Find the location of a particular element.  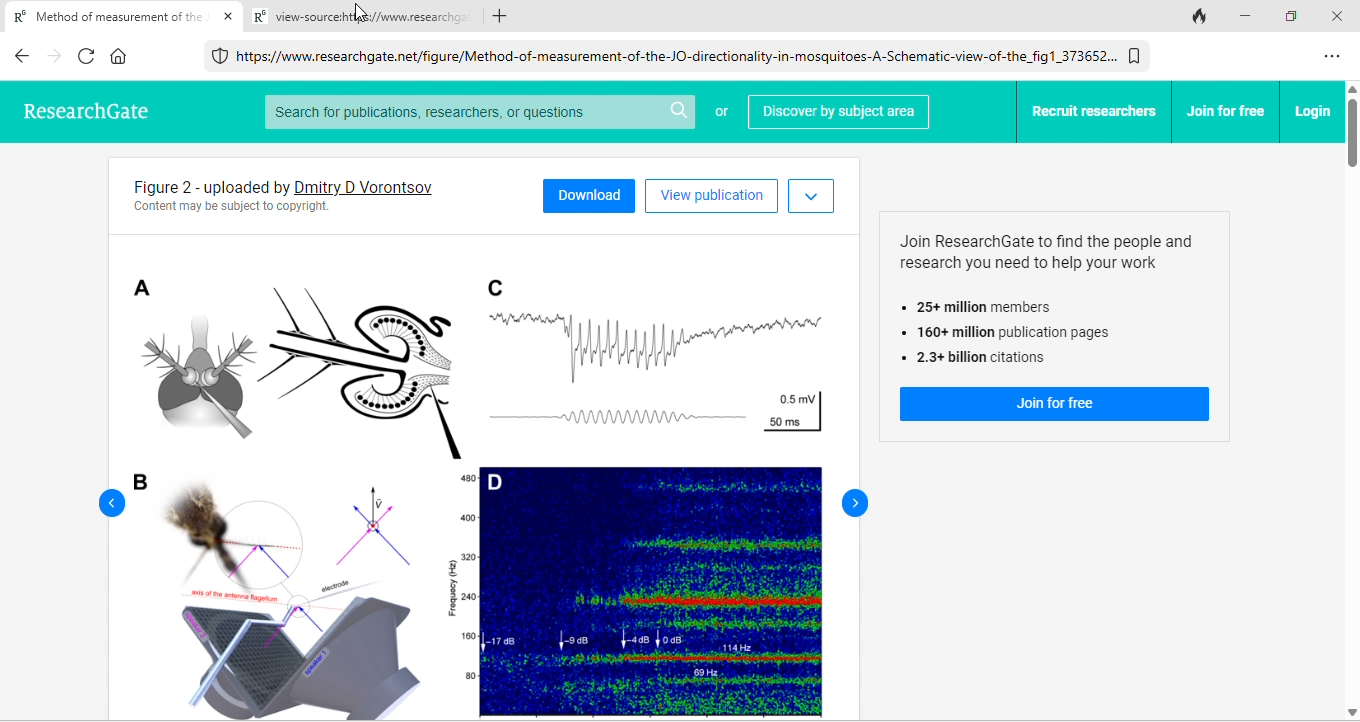

Join for free is located at coordinates (1057, 405).